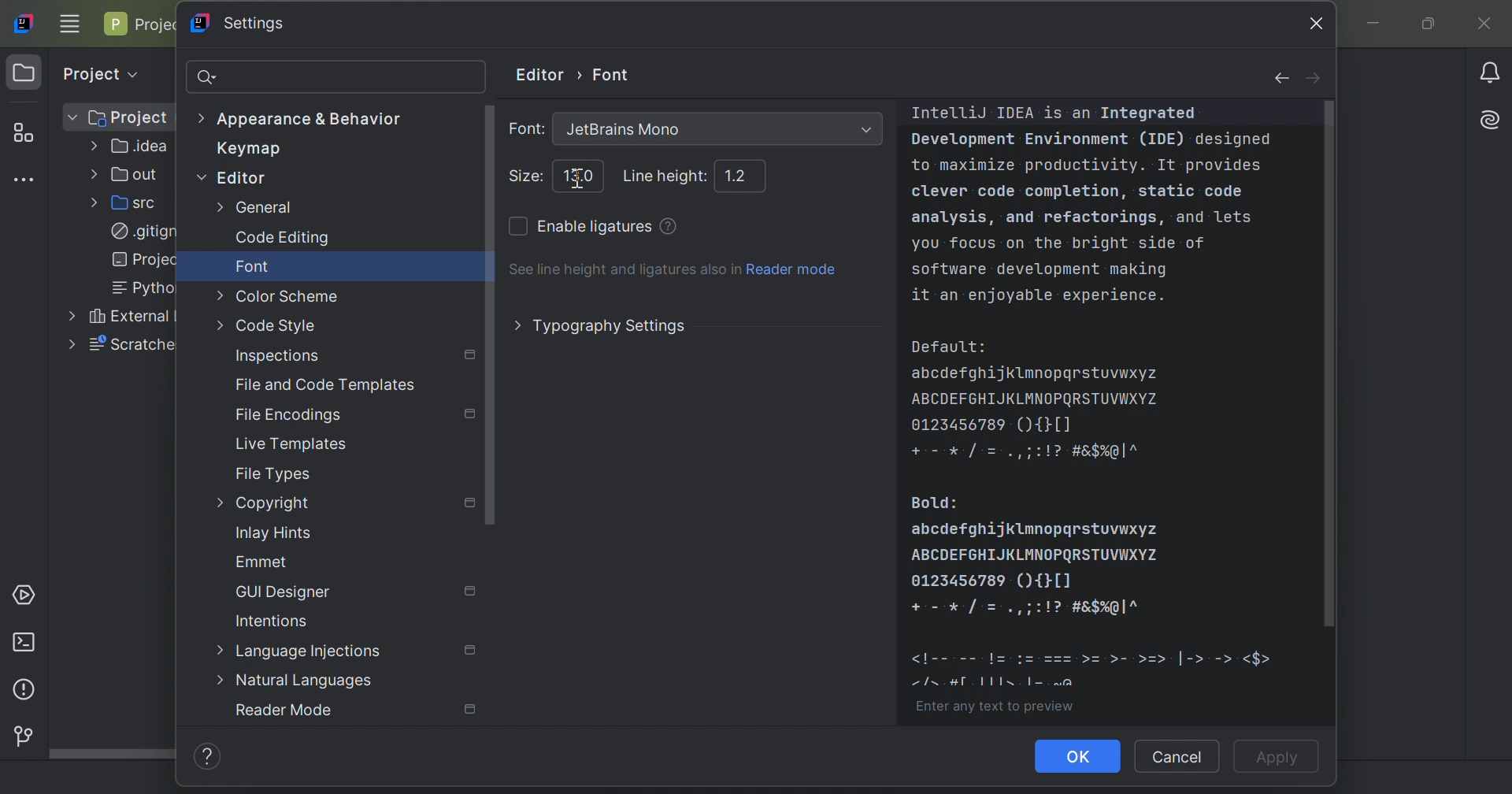 The width and height of the screenshot is (1512, 794). What do you see at coordinates (254, 265) in the screenshot?
I see `Font` at bounding box center [254, 265].